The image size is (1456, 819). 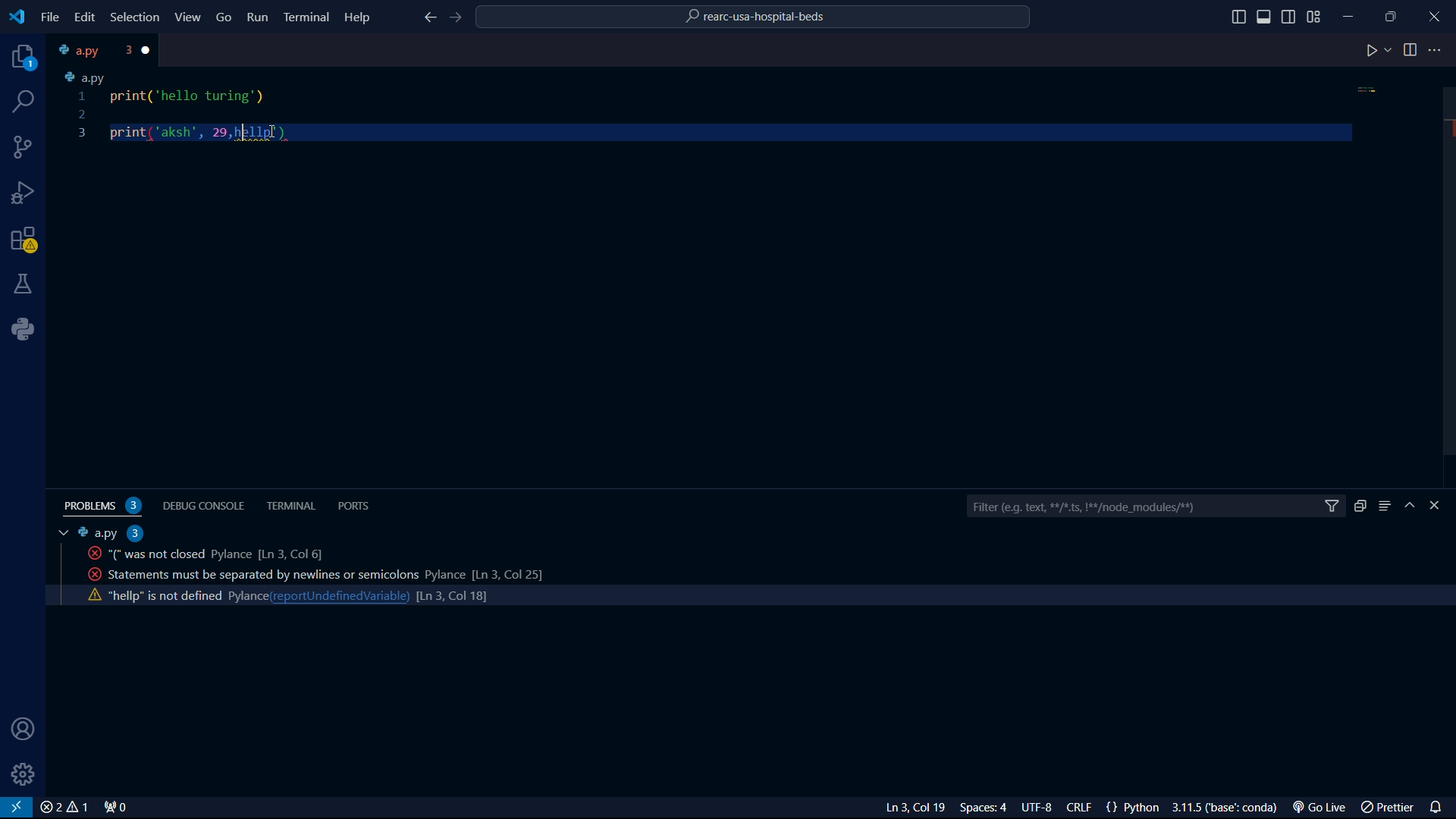 What do you see at coordinates (451, 598) in the screenshot?
I see `line count` at bounding box center [451, 598].